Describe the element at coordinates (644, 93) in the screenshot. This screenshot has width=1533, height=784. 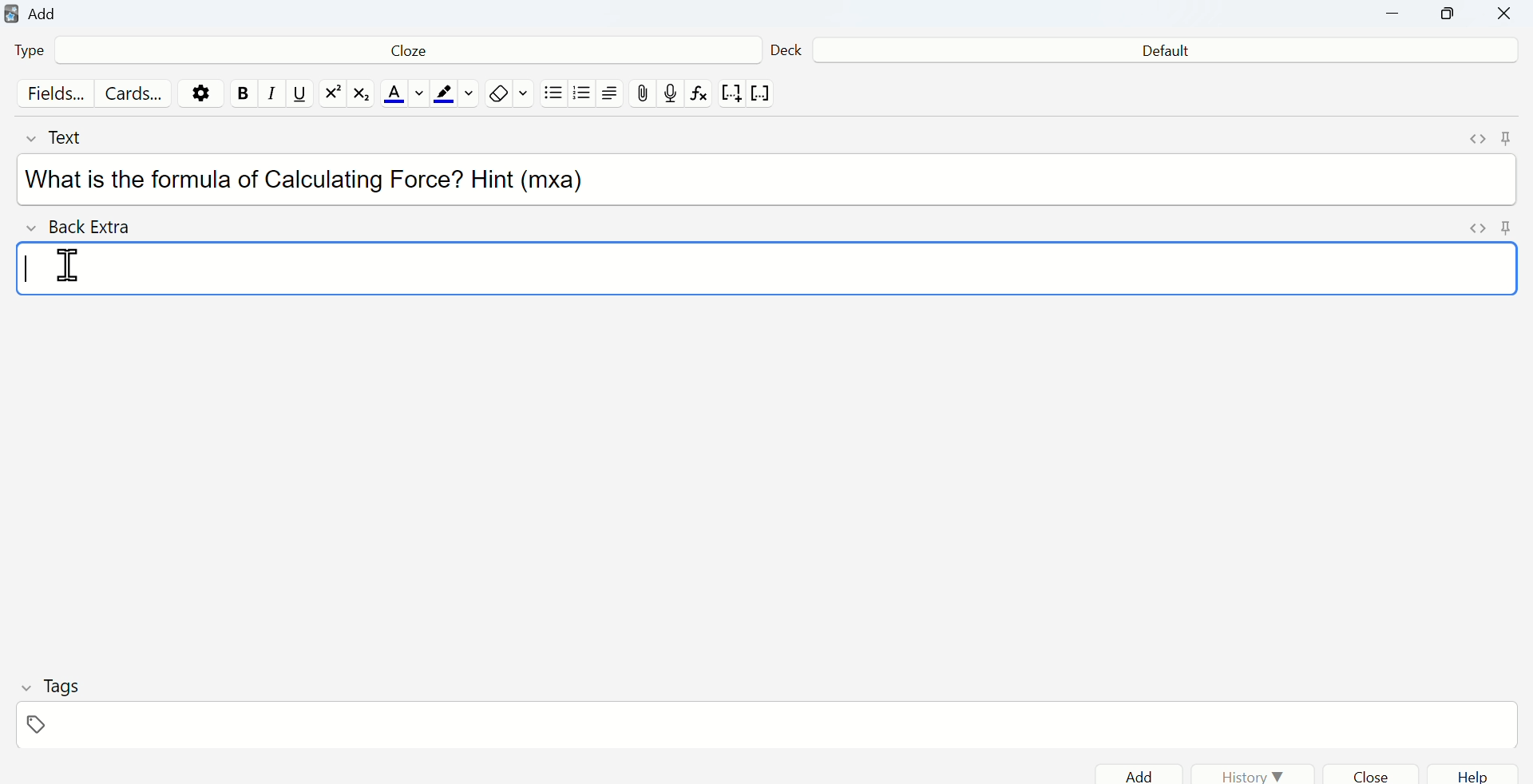
I see `Attach` at that location.